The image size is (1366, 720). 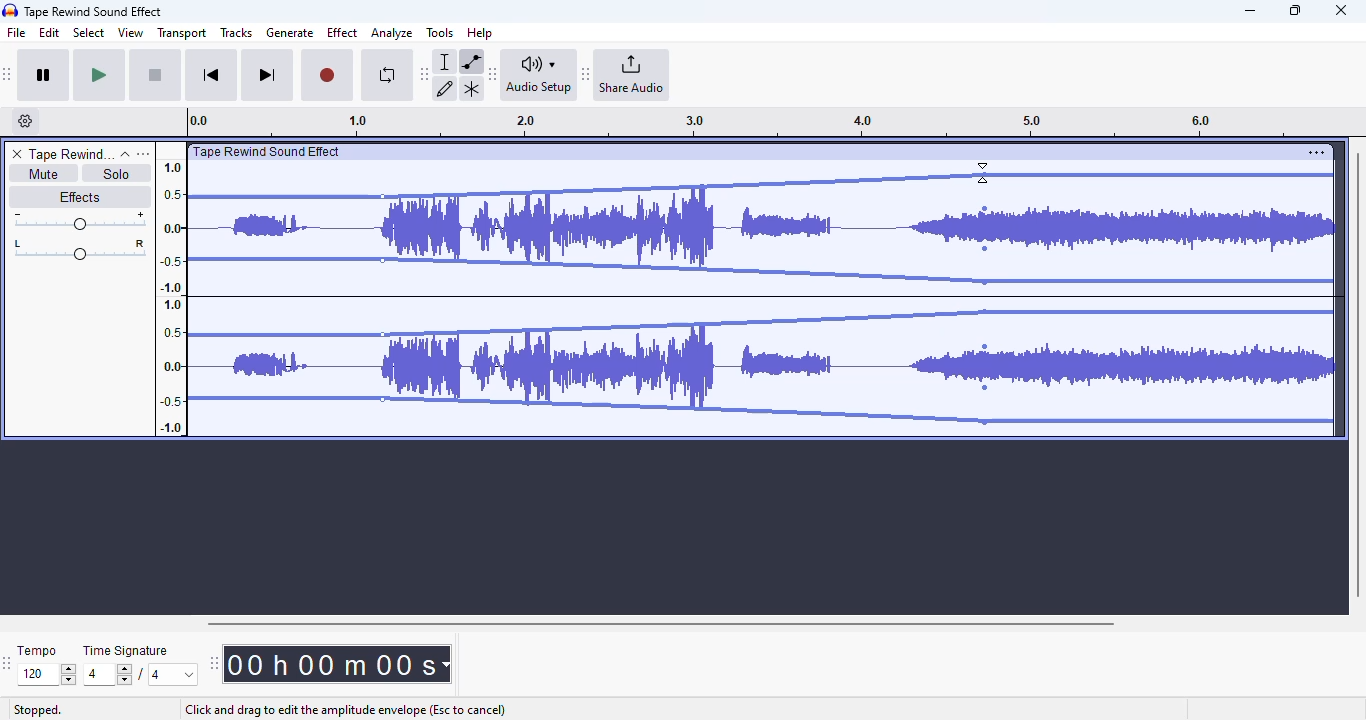 What do you see at coordinates (471, 61) in the screenshot?
I see `envelope tool` at bounding box center [471, 61].